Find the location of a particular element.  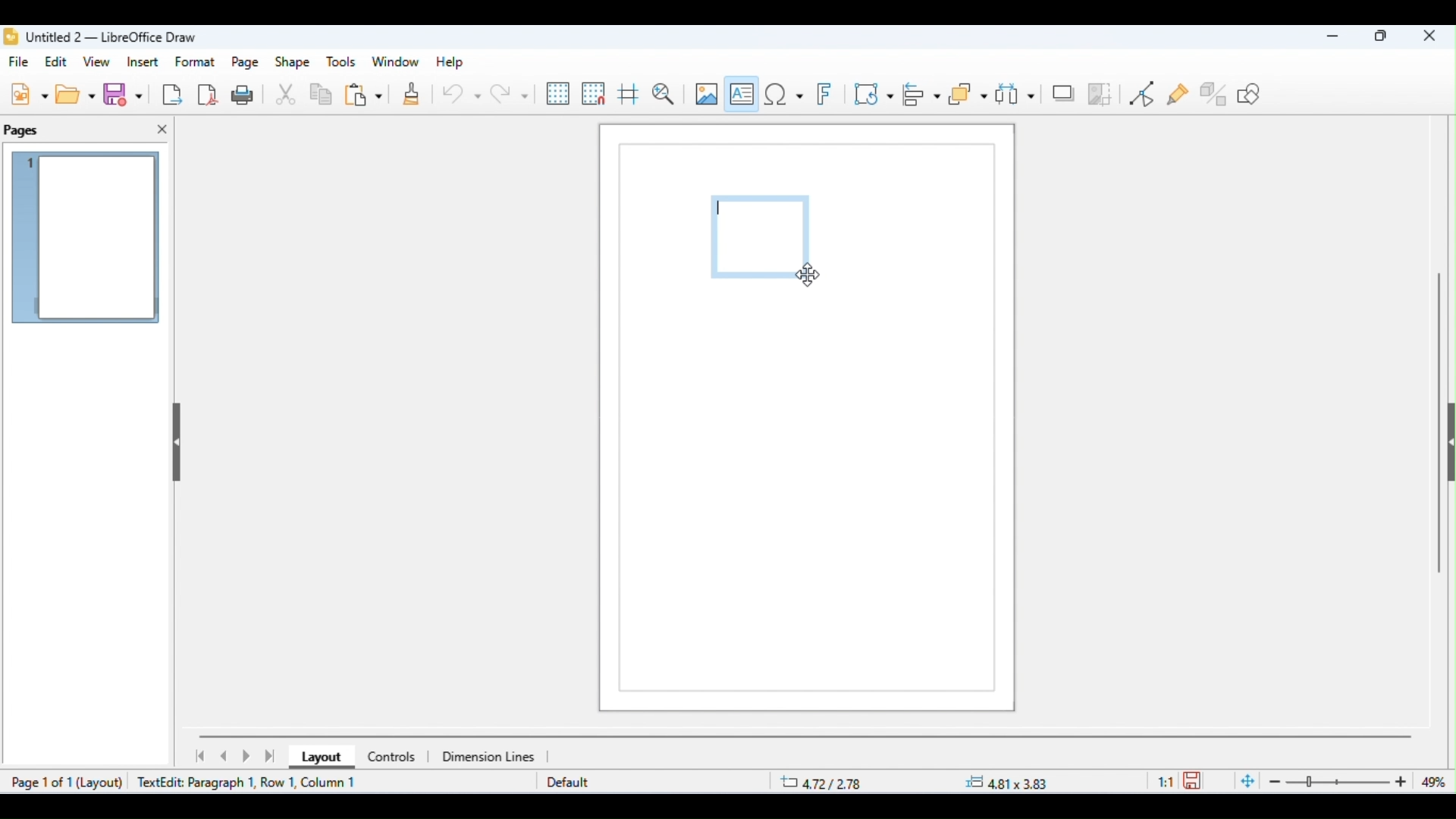

previous page is located at coordinates (224, 756).